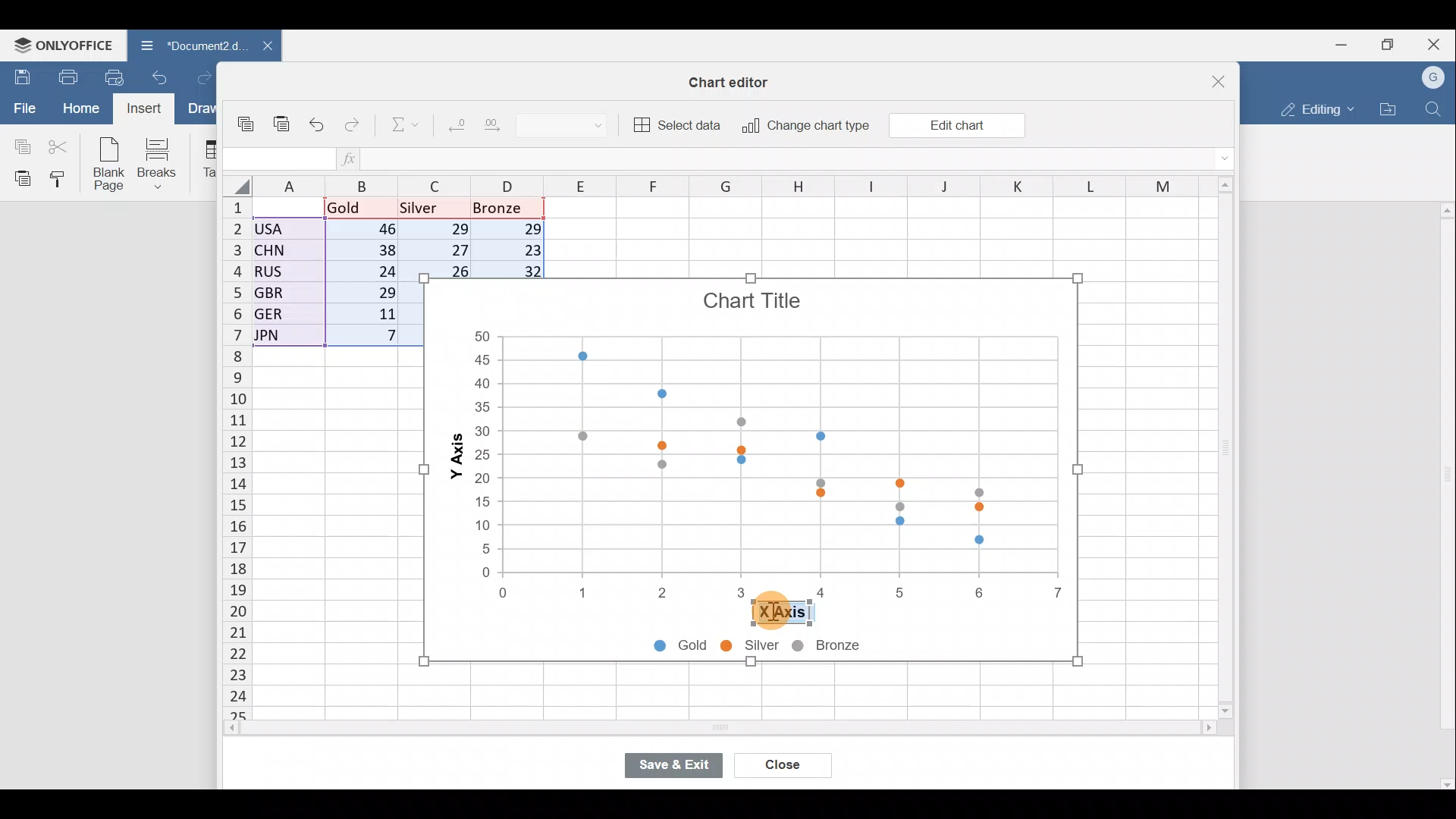  I want to click on Quick print, so click(115, 77).